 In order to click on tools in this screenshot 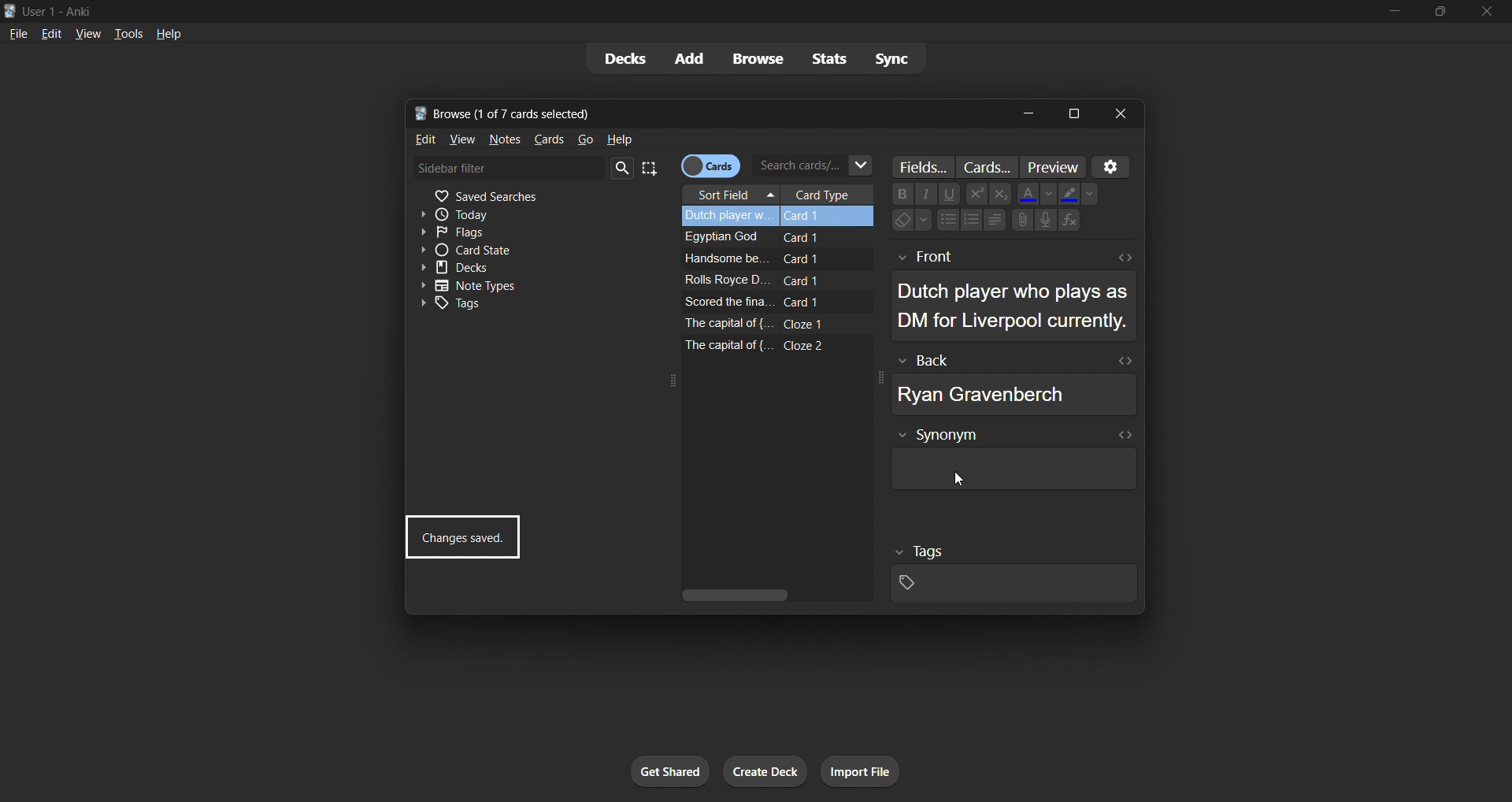, I will do `click(127, 33)`.